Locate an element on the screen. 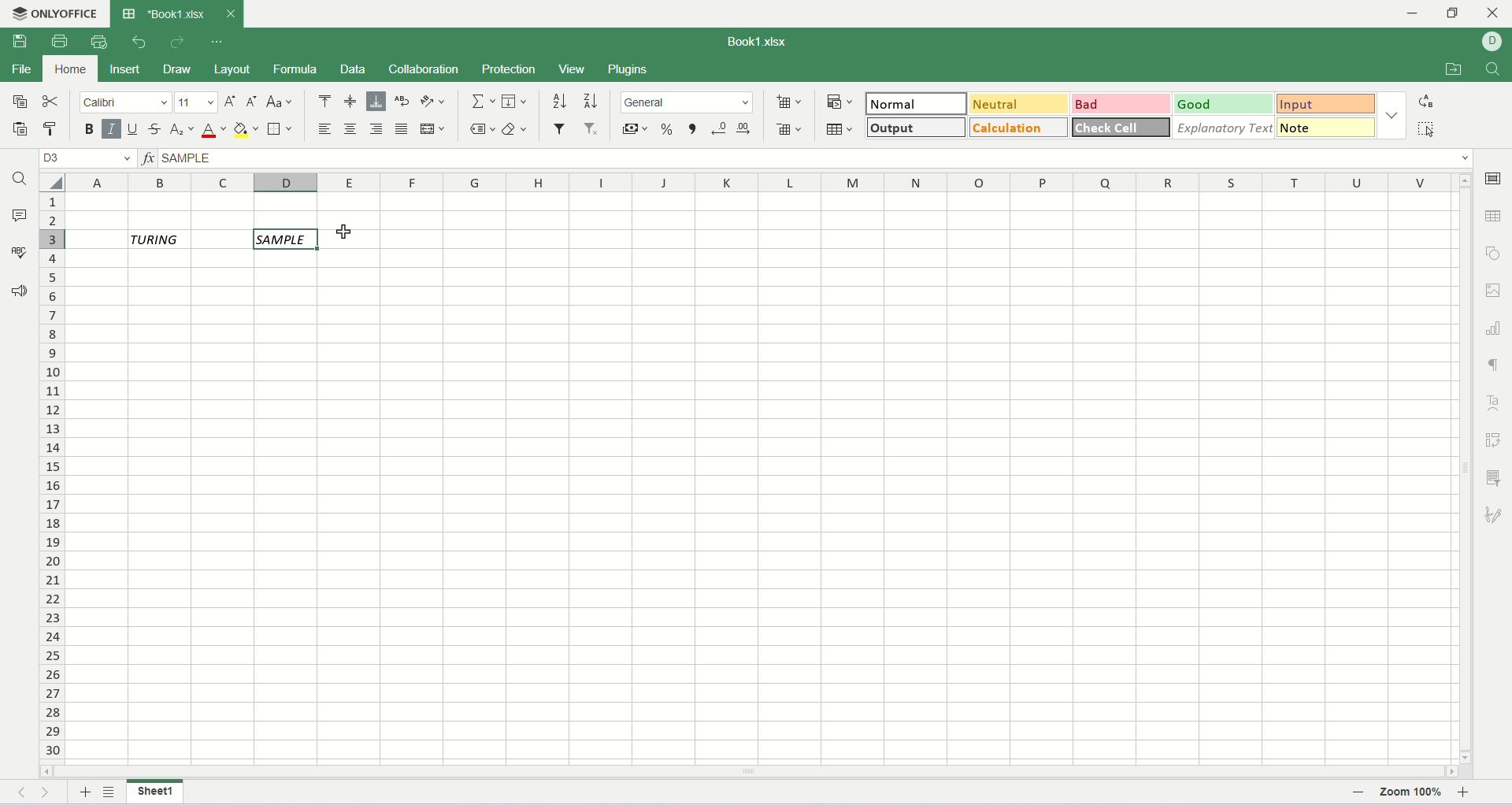 The width and height of the screenshot is (1512, 805). decrease font size is located at coordinates (252, 102).